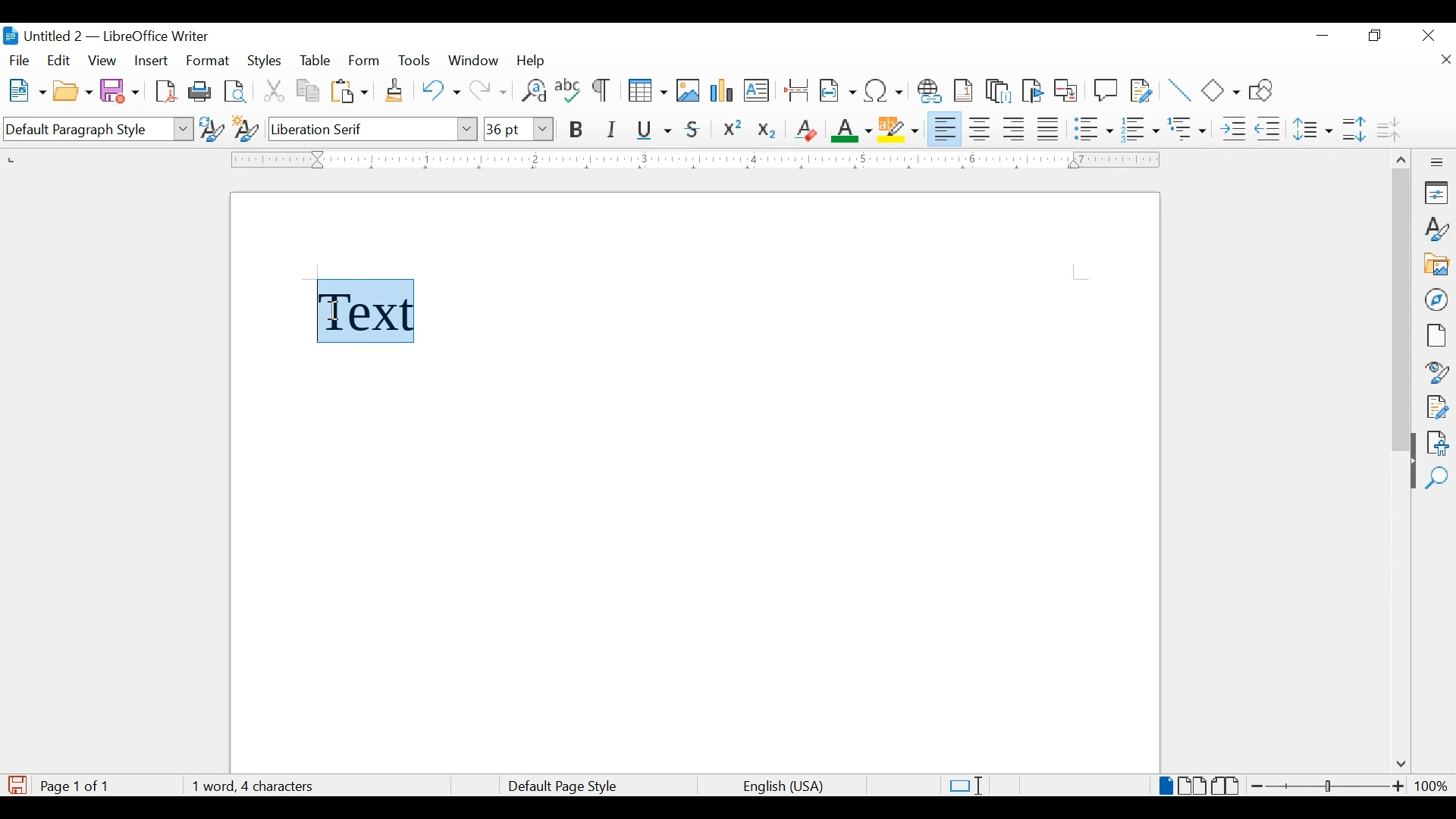 Image resolution: width=1456 pixels, height=819 pixels. What do you see at coordinates (1401, 312) in the screenshot?
I see `scroll box` at bounding box center [1401, 312].